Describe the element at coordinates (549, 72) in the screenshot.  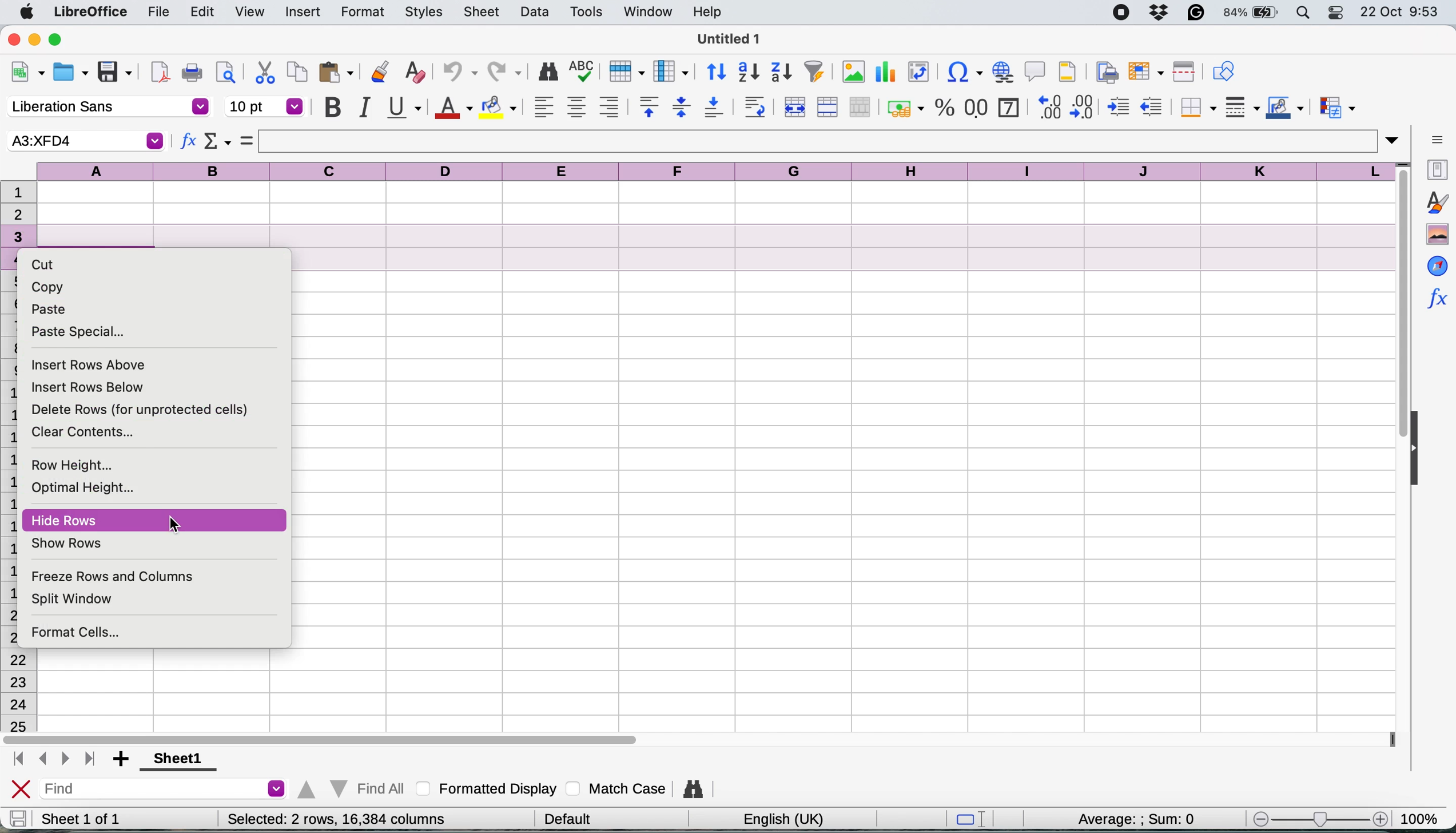
I see `find and replace` at that location.